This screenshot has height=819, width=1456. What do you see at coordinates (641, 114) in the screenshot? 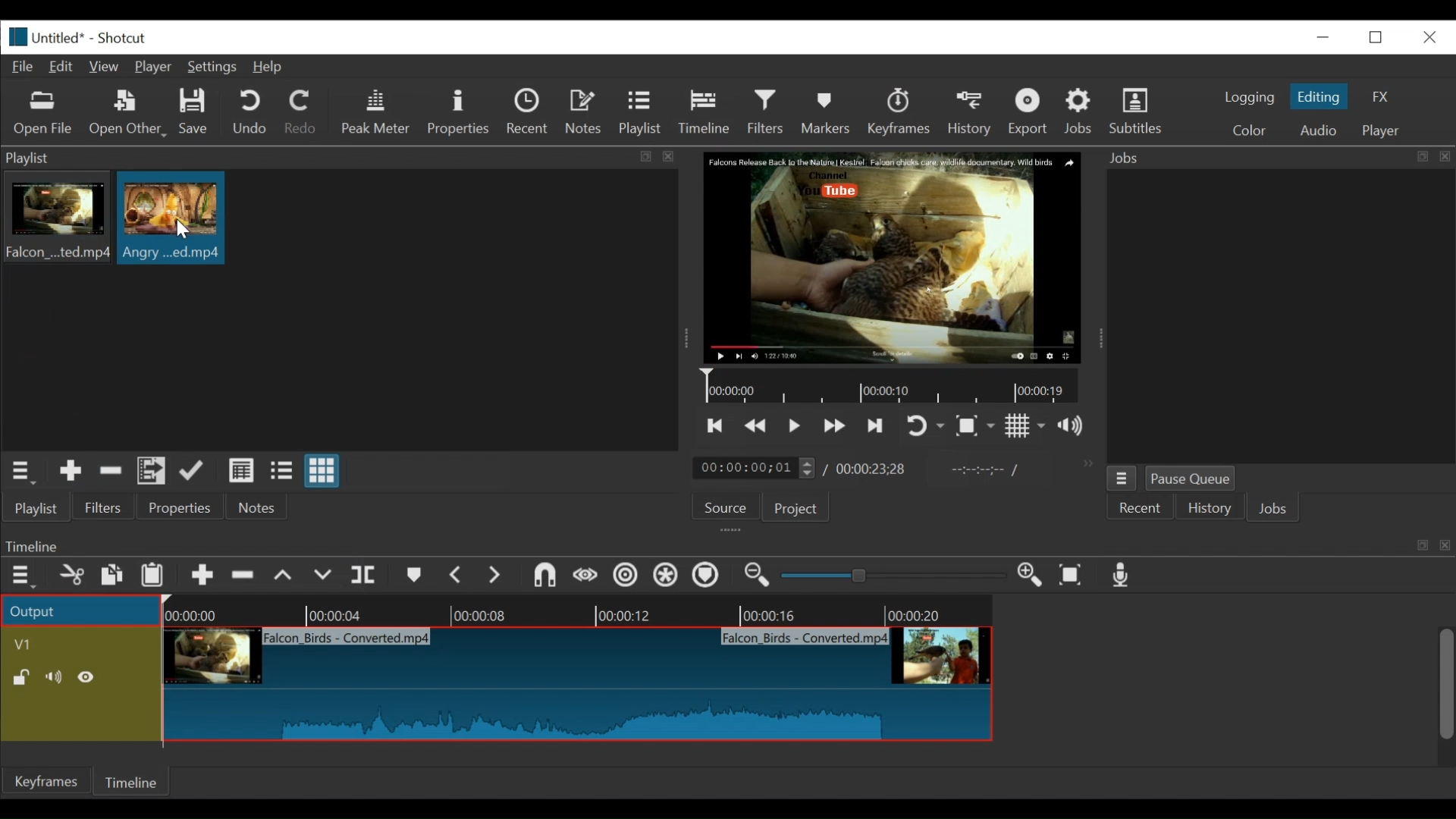
I see `Playlist` at bounding box center [641, 114].